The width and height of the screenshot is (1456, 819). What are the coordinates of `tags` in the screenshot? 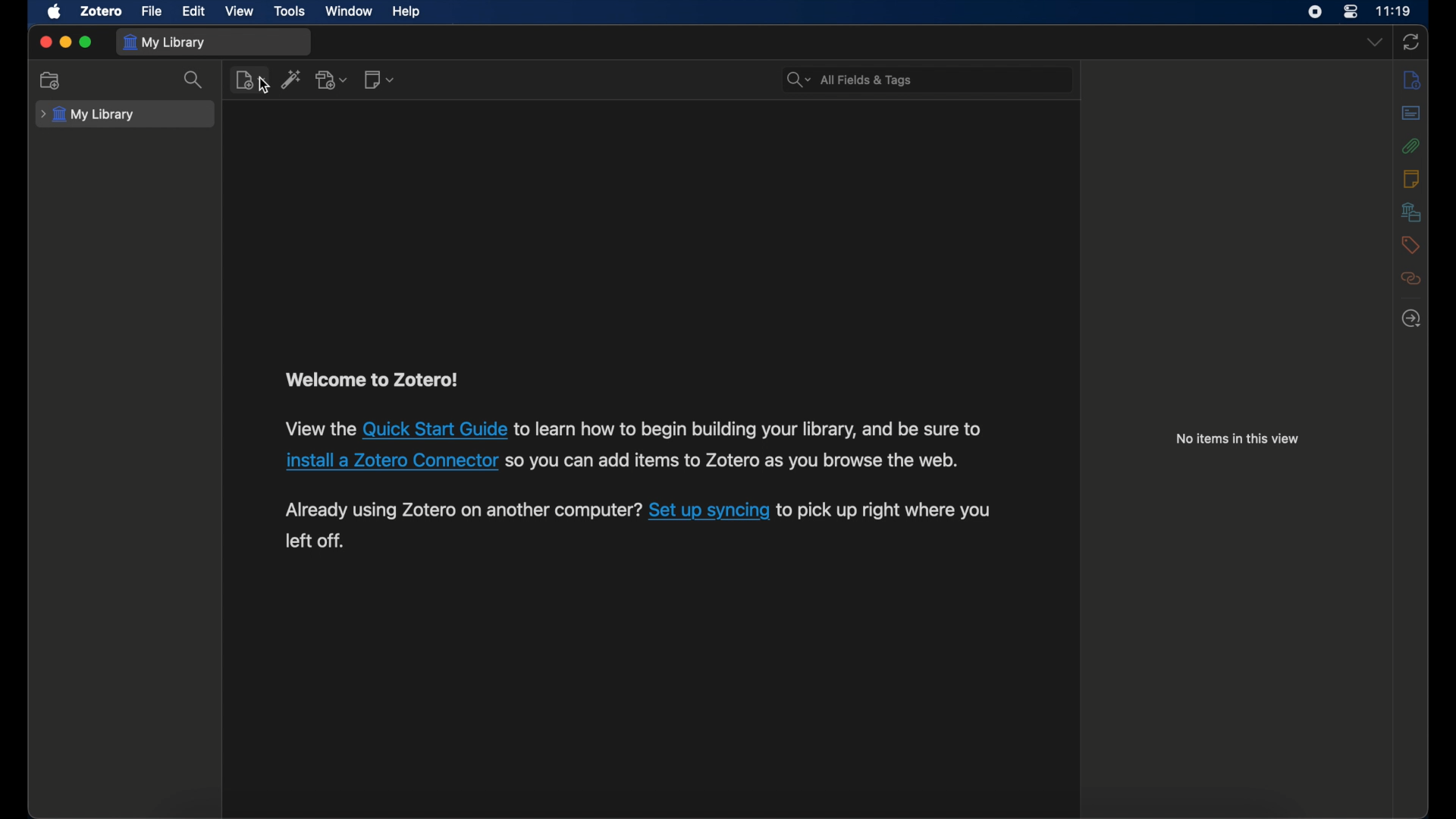 It's located at (1409, 245).